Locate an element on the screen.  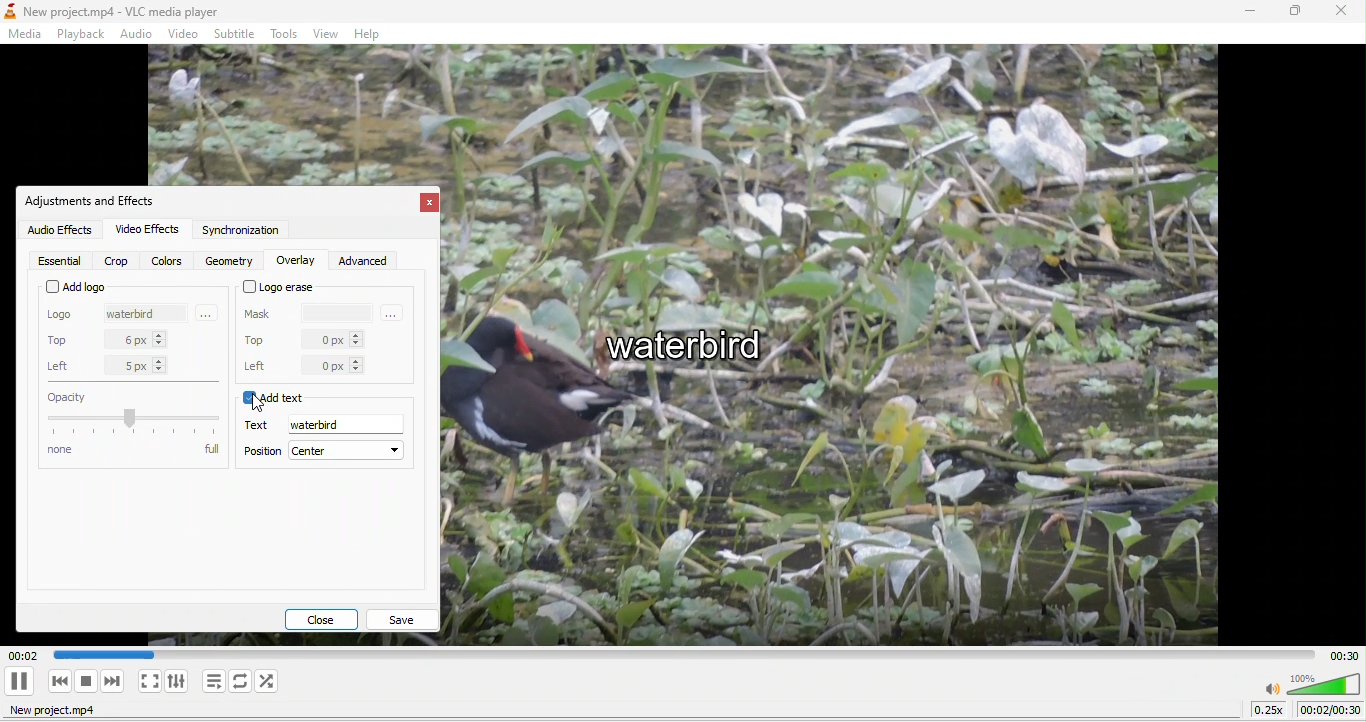
overlay is located at coordinates (292, 262).